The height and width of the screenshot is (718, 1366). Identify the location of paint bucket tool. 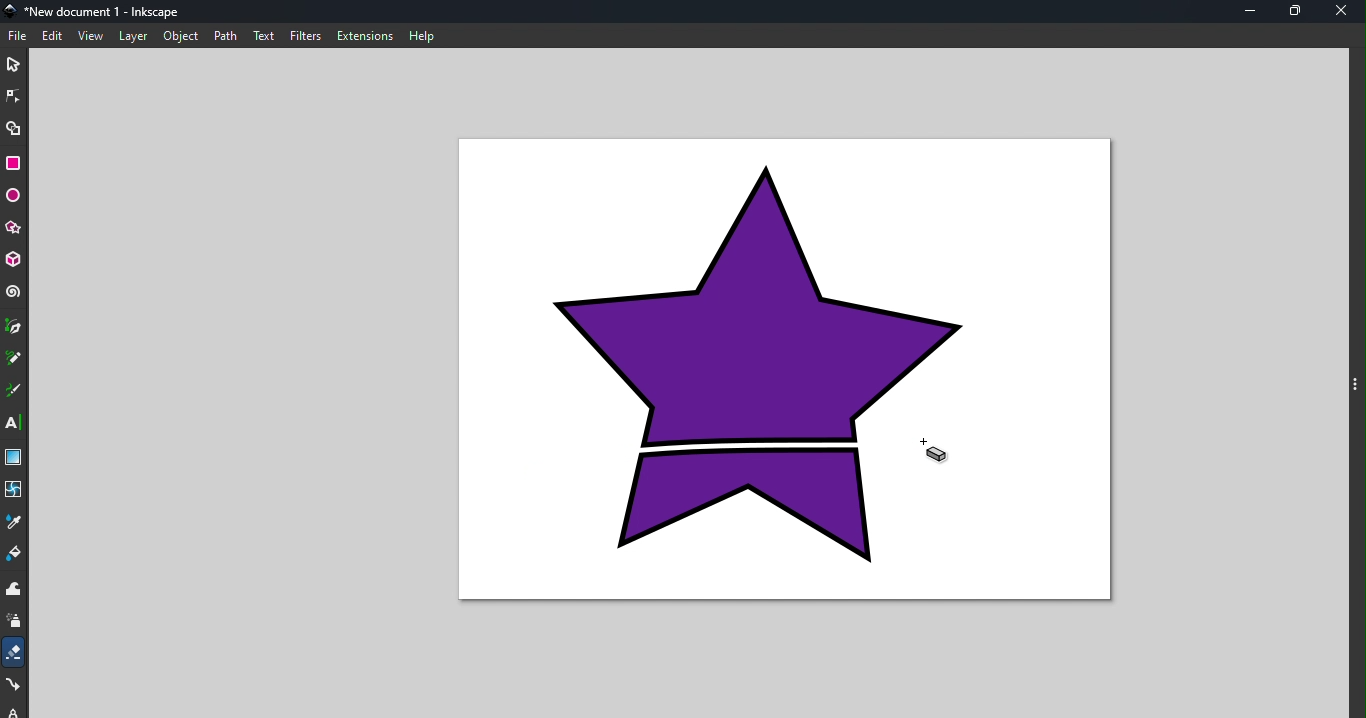
(15, 555).